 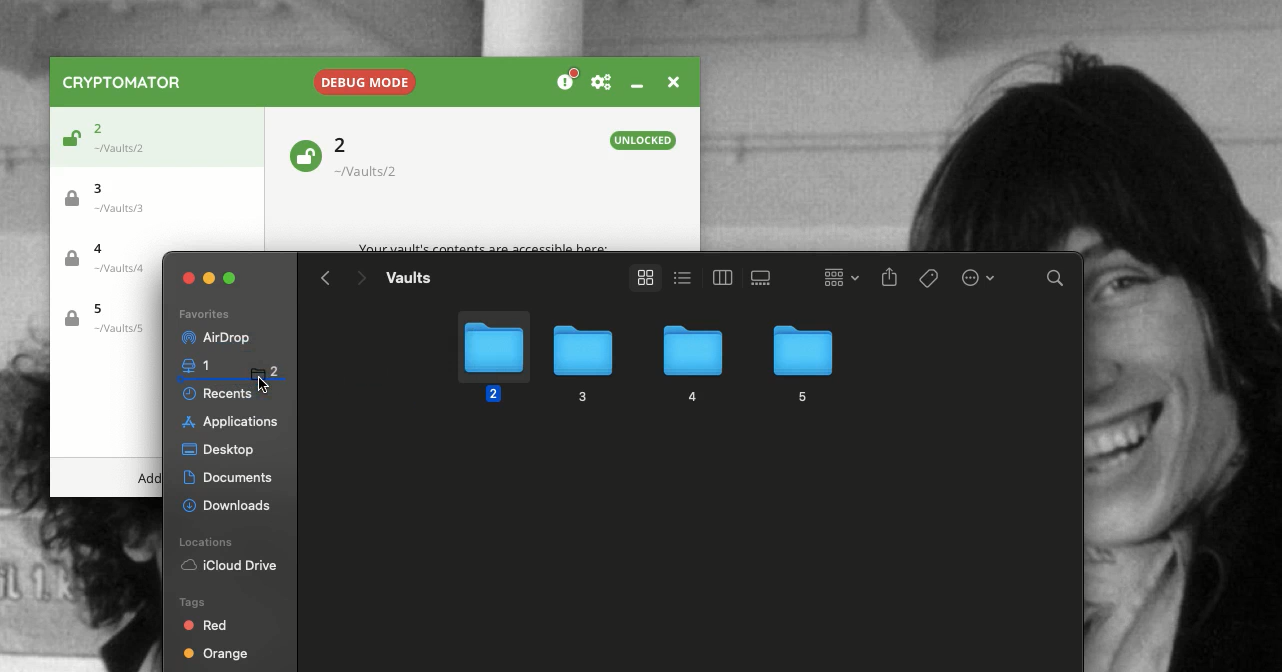 What do you see at coordinates (231, 478) in the screenshot?
I see `Documents` at bounding box center [231, 478].